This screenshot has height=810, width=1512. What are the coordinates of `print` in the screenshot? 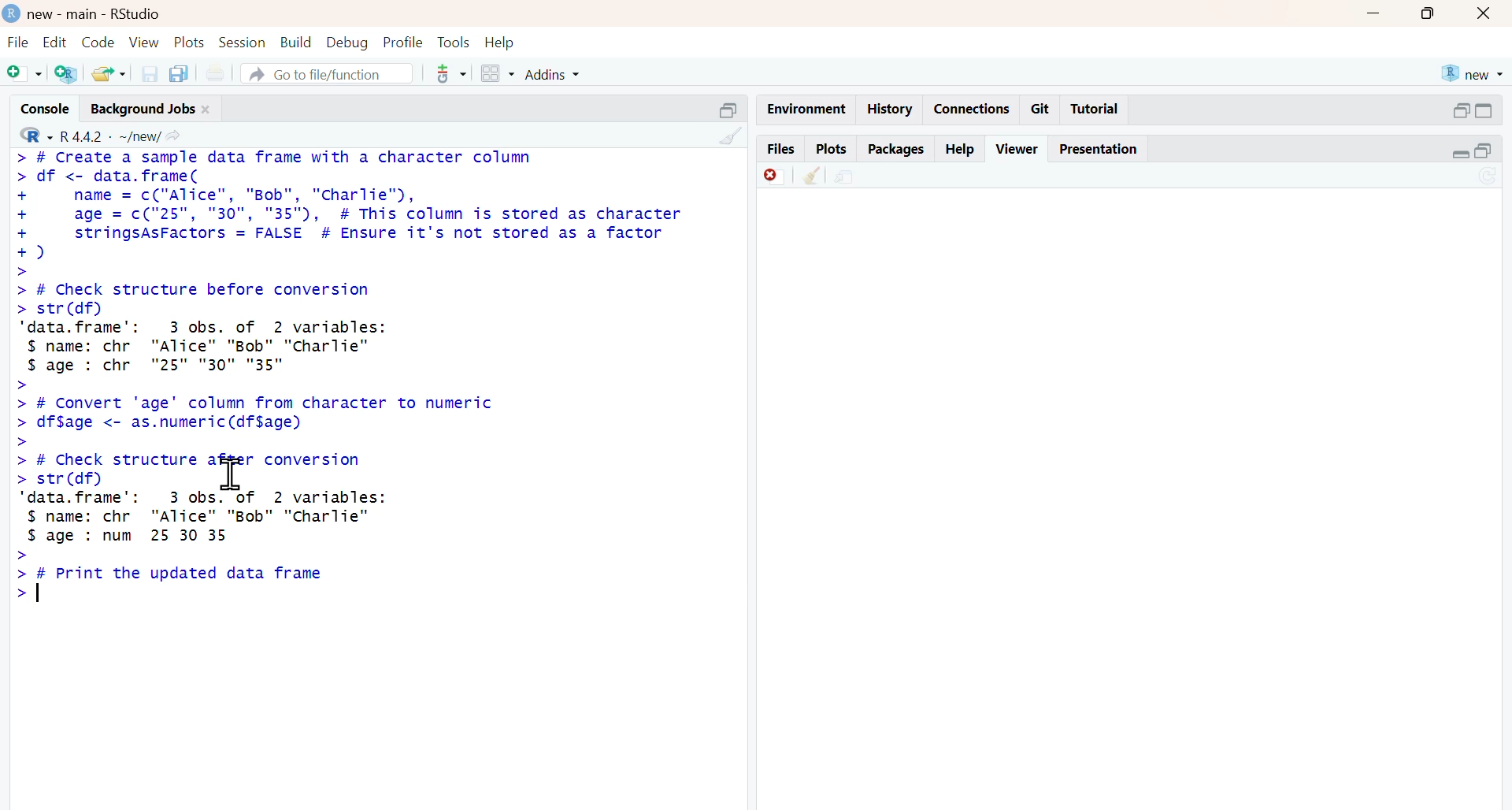 It's located at (216, 75).